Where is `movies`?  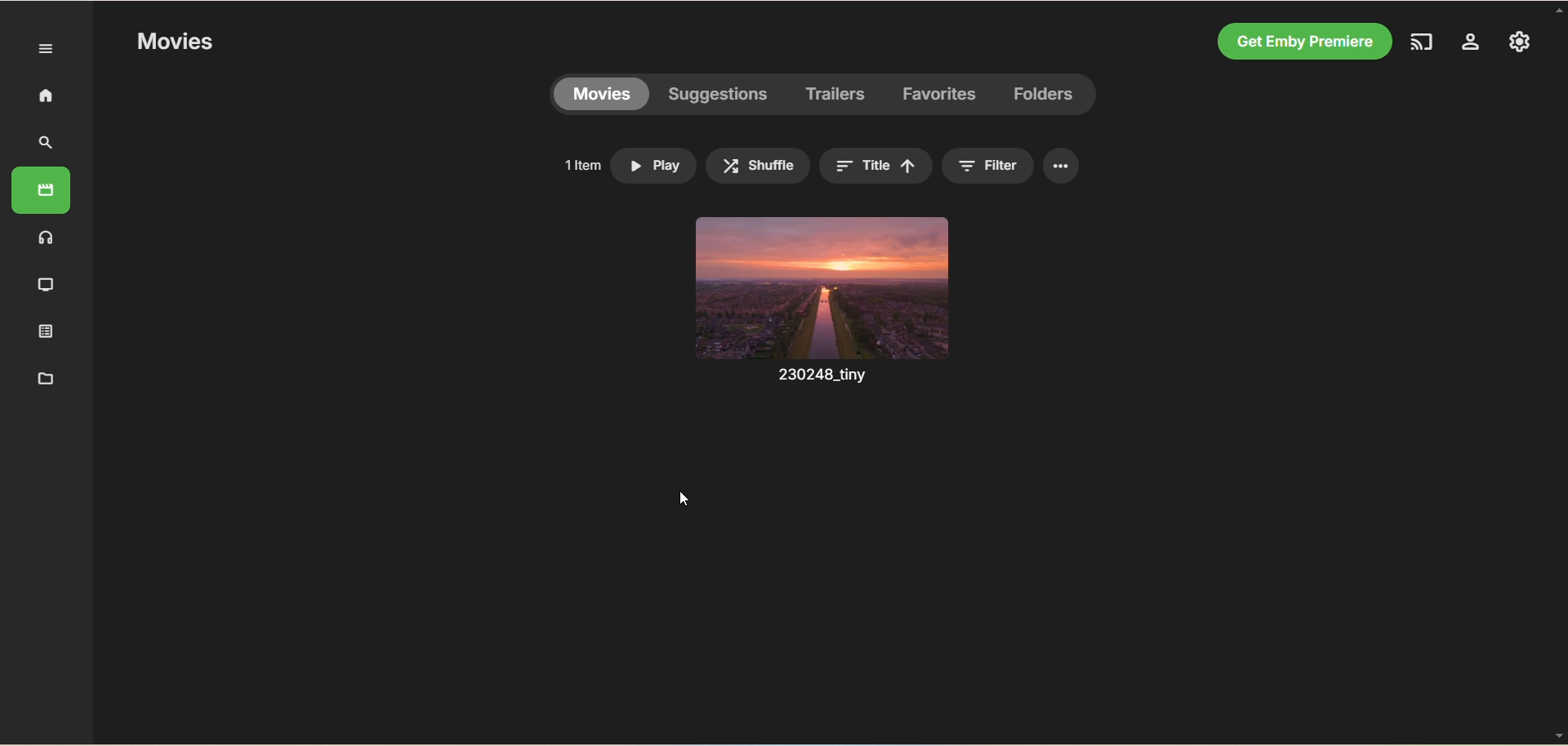
movies is located at coordinates (172, 44).